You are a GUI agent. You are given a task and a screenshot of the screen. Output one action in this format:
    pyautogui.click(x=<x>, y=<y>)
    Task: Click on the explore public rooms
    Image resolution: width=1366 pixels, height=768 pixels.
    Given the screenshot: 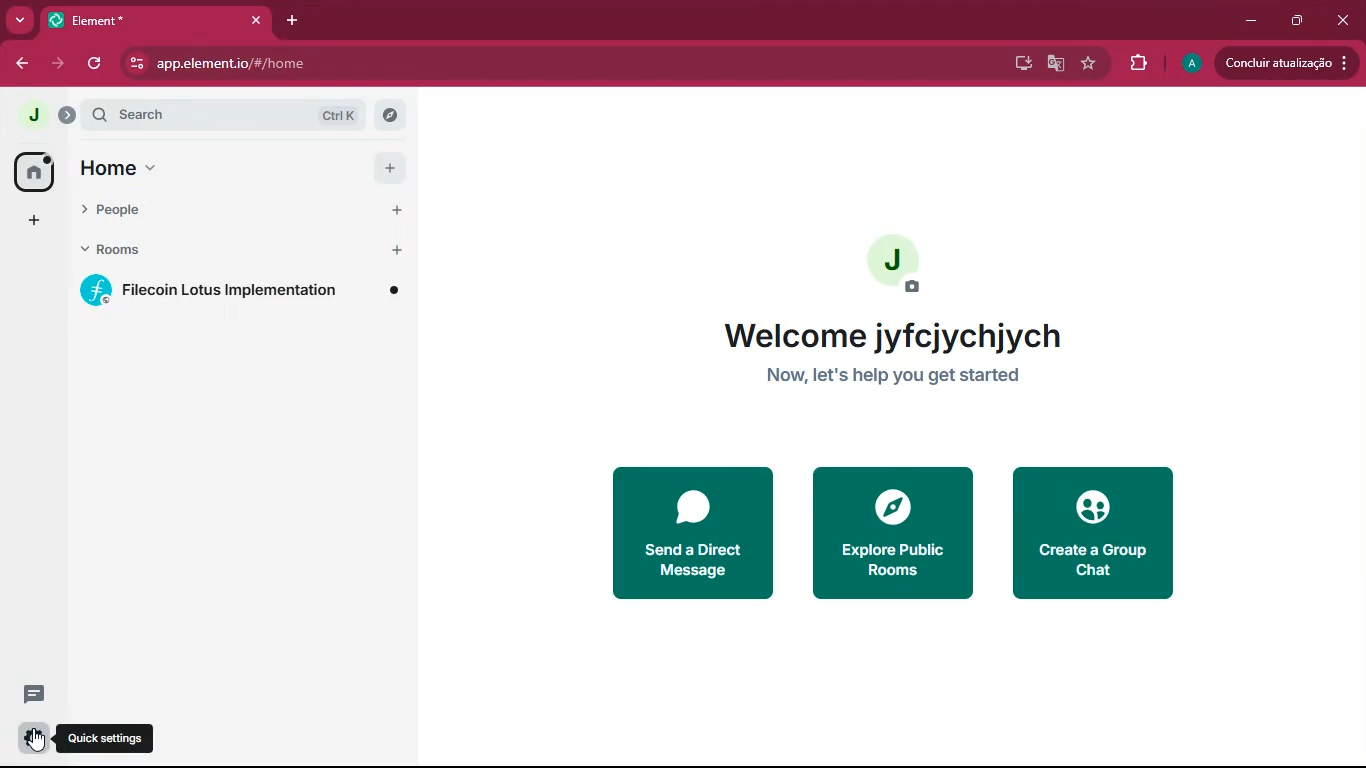 What is the action you would take?
    pyautogui.click(x=893, y=532)
    